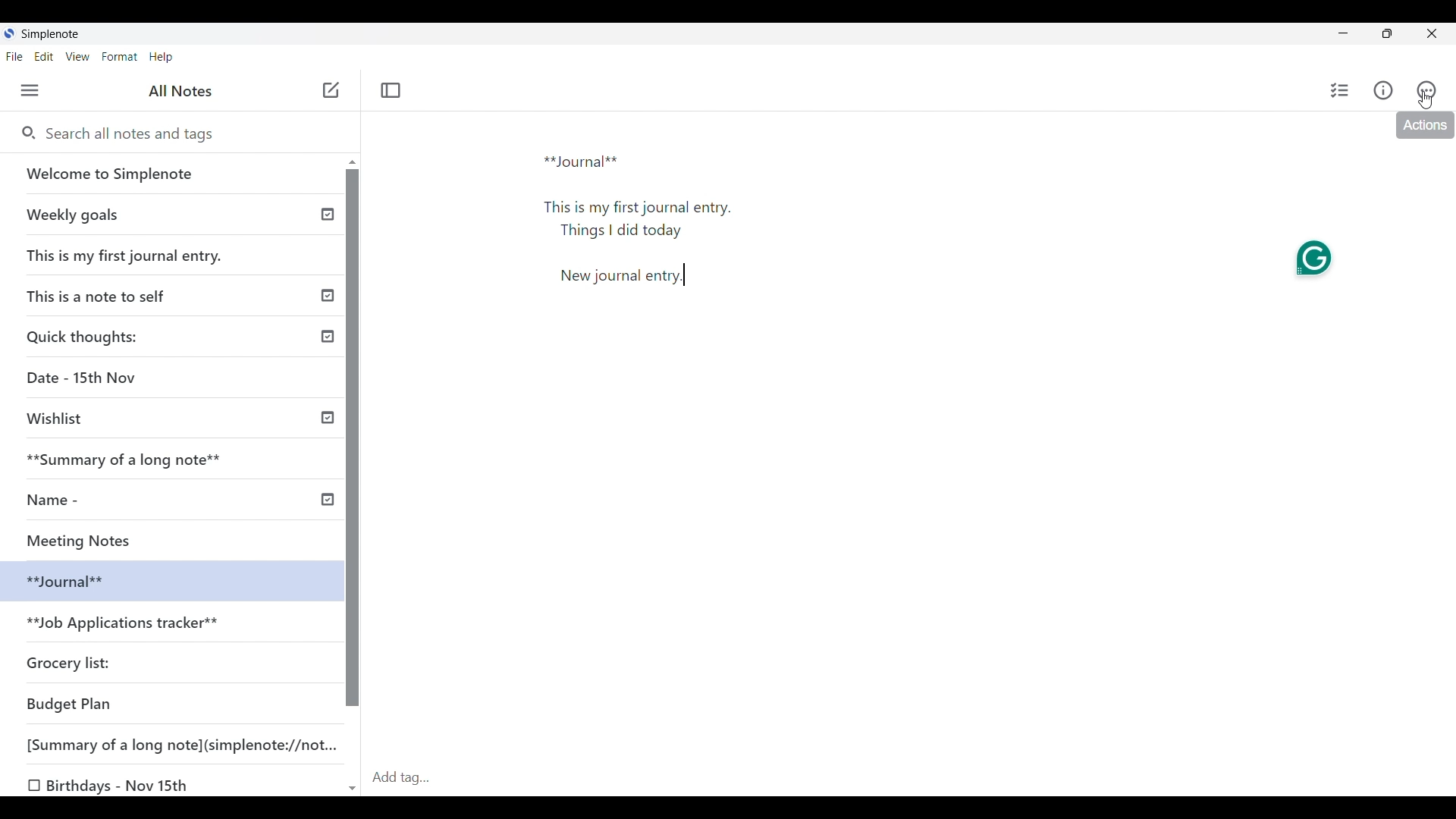  I want to click on Insert checklist, so click(1341, 90).